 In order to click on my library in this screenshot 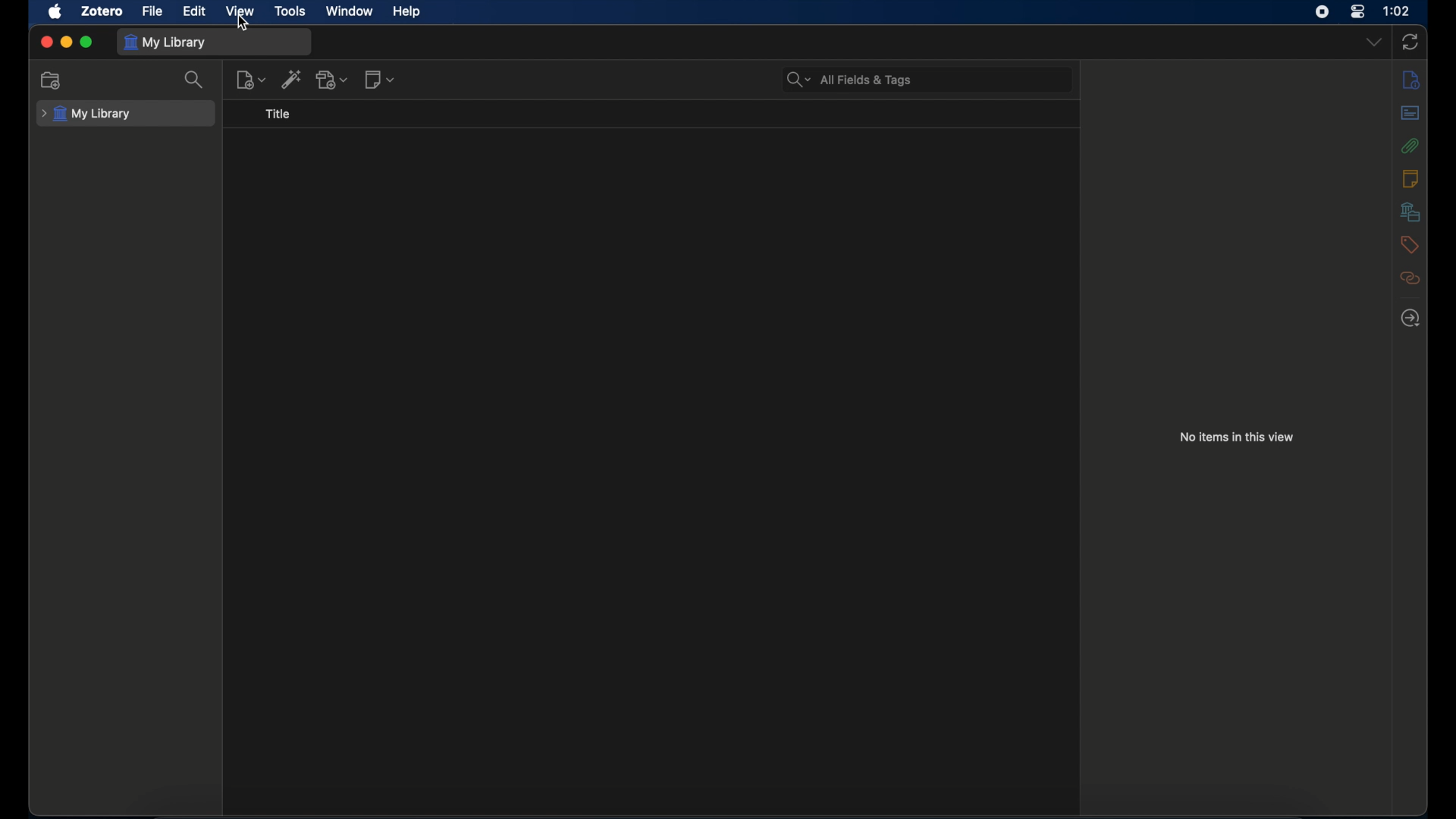, I will do `click(86, 115)`.